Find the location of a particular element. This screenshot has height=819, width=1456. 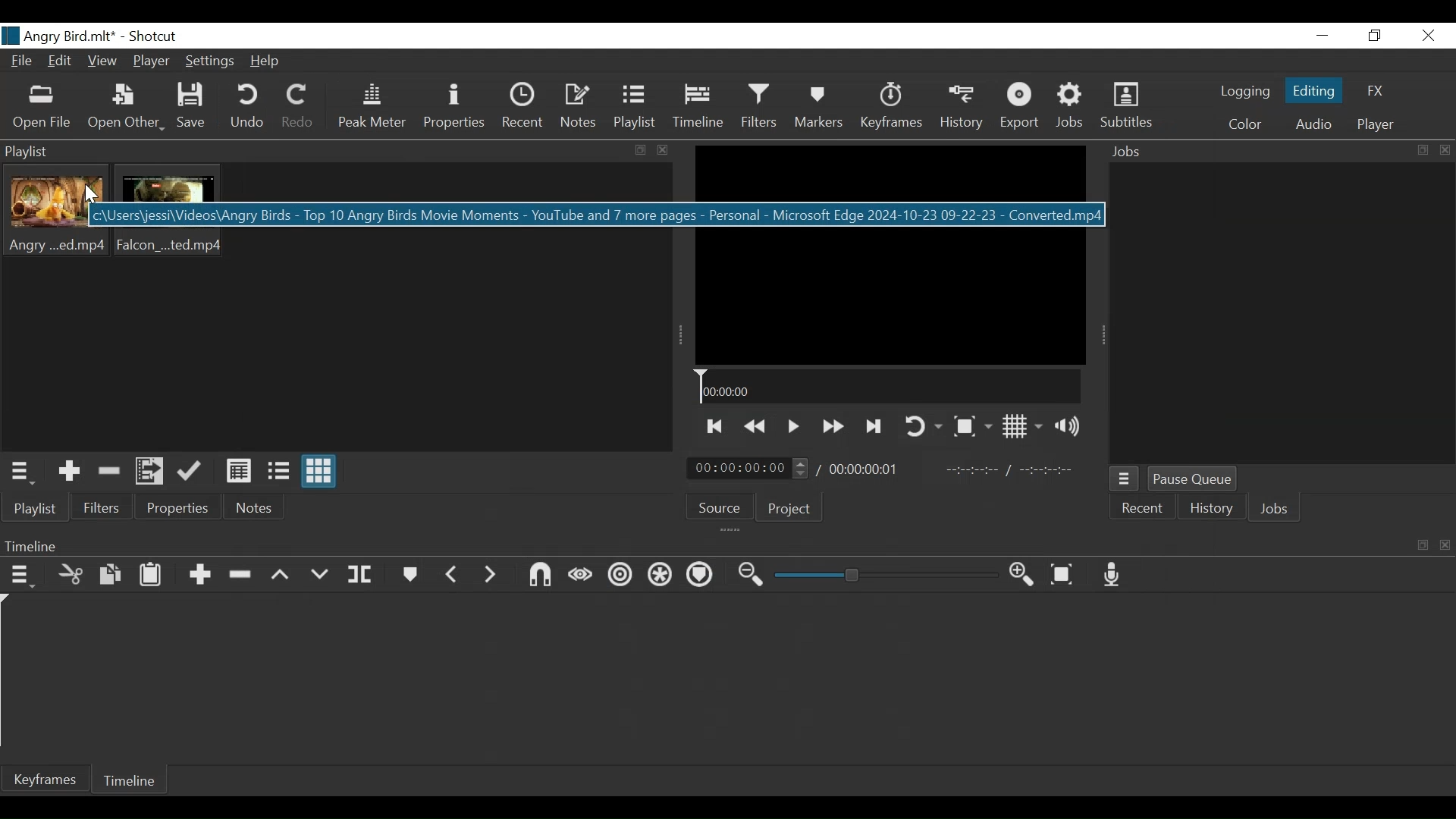

View as details is located at coordinates (240, 472).